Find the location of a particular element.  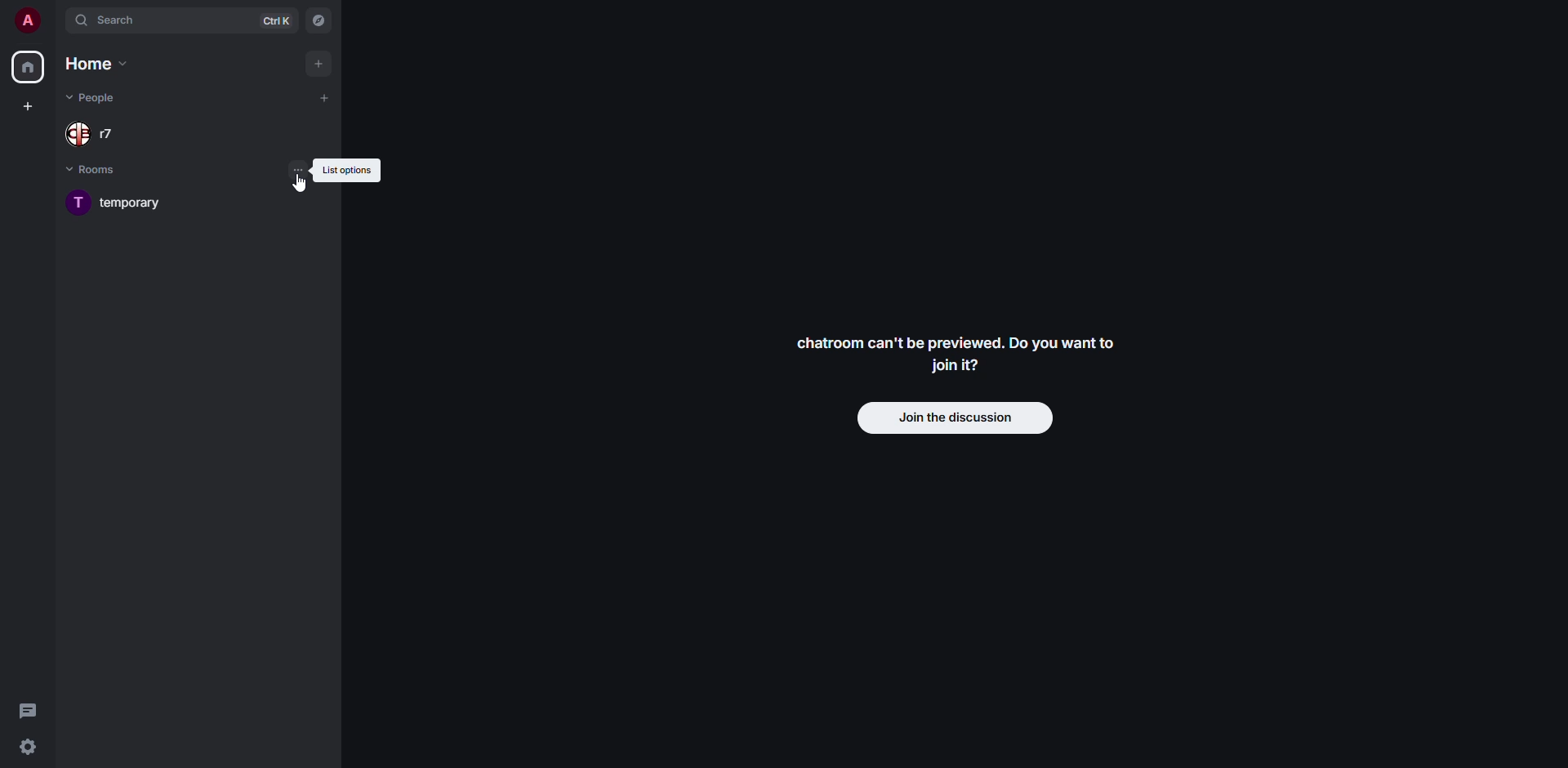

search is located at coordinates (108, 21).